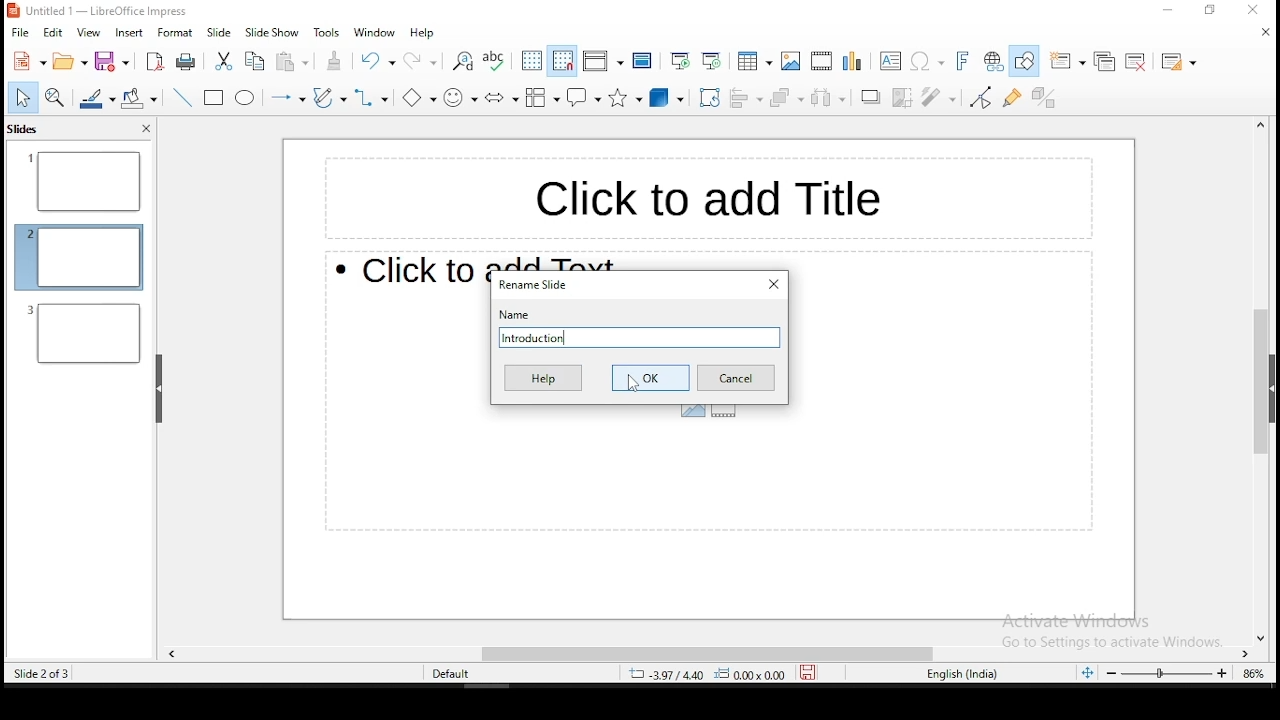 Image resolution: width=1280 pixels, height=720 pixels. What do you see at coordinates (184, 98) in the screenshot?
I see `line` at bounding box center [184, 98].